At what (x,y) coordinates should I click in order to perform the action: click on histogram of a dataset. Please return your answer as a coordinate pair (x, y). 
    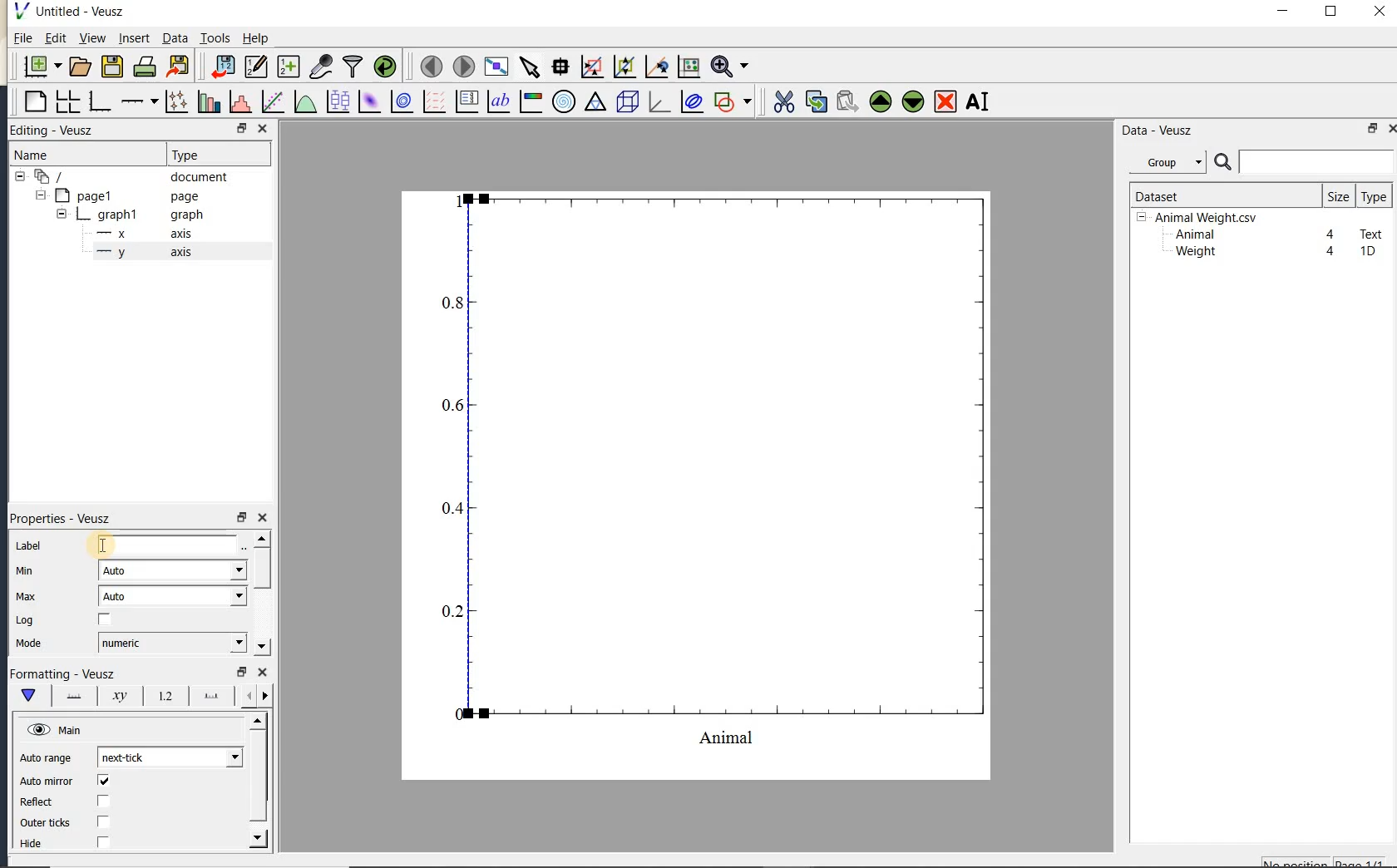
    Looking at the image, I should click on (239, 101).